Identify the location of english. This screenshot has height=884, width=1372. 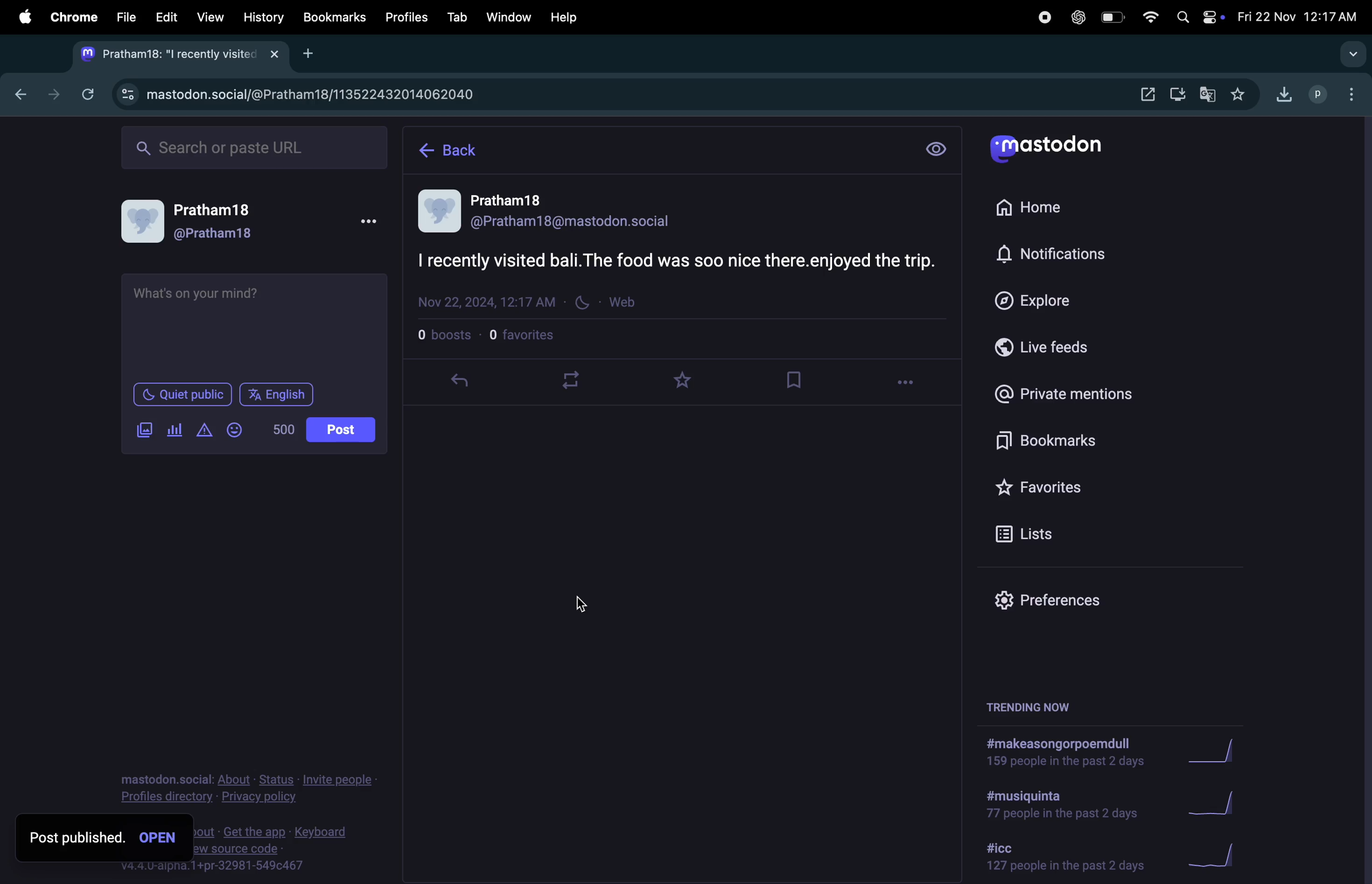
(278, 396).